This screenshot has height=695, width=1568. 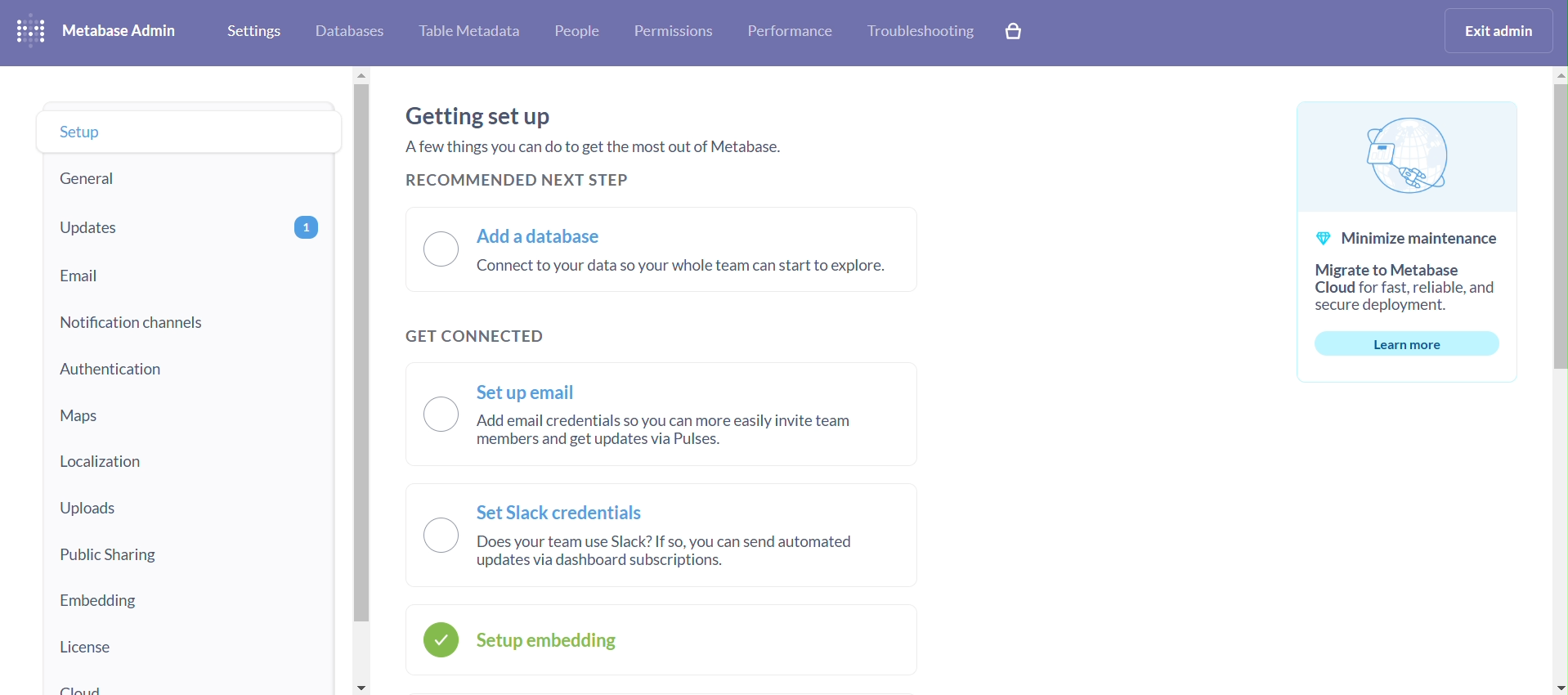 I want to click on localization, so click(x=185, y=462).